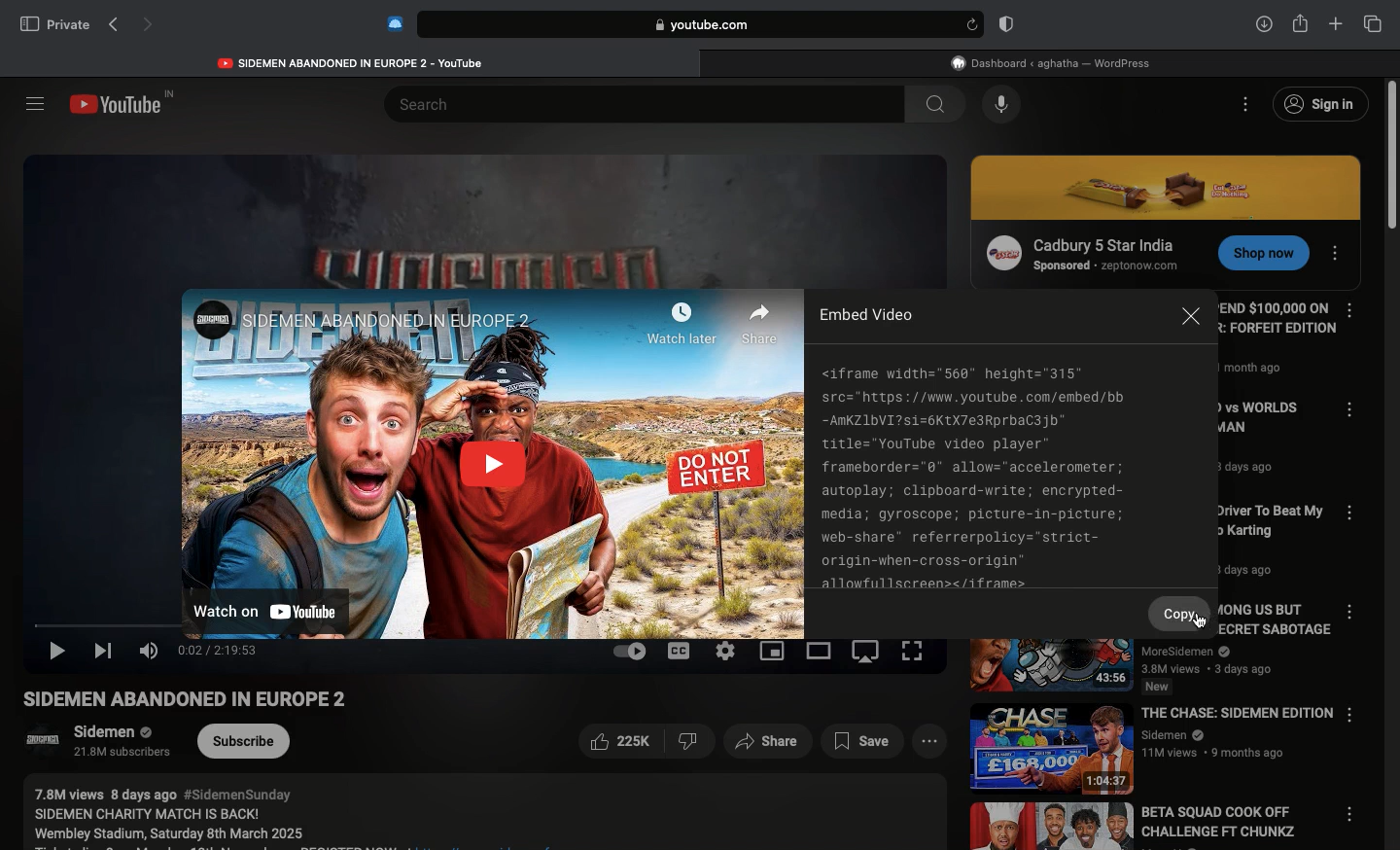 The height and width of the screenshot is (850, 1400). I want to click on Sidebar, so click(34, 103).